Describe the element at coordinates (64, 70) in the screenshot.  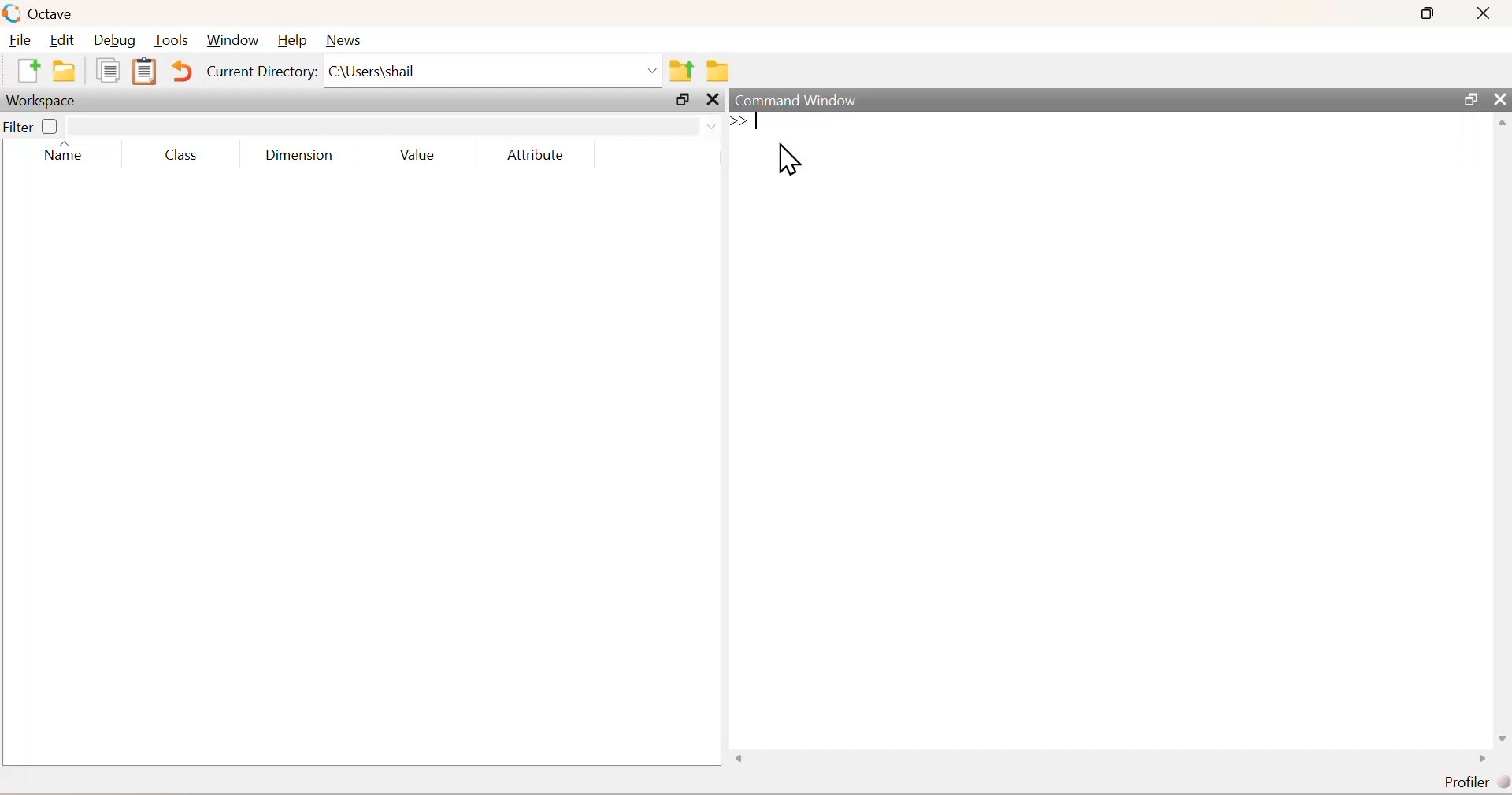
I see `folder` at that location.